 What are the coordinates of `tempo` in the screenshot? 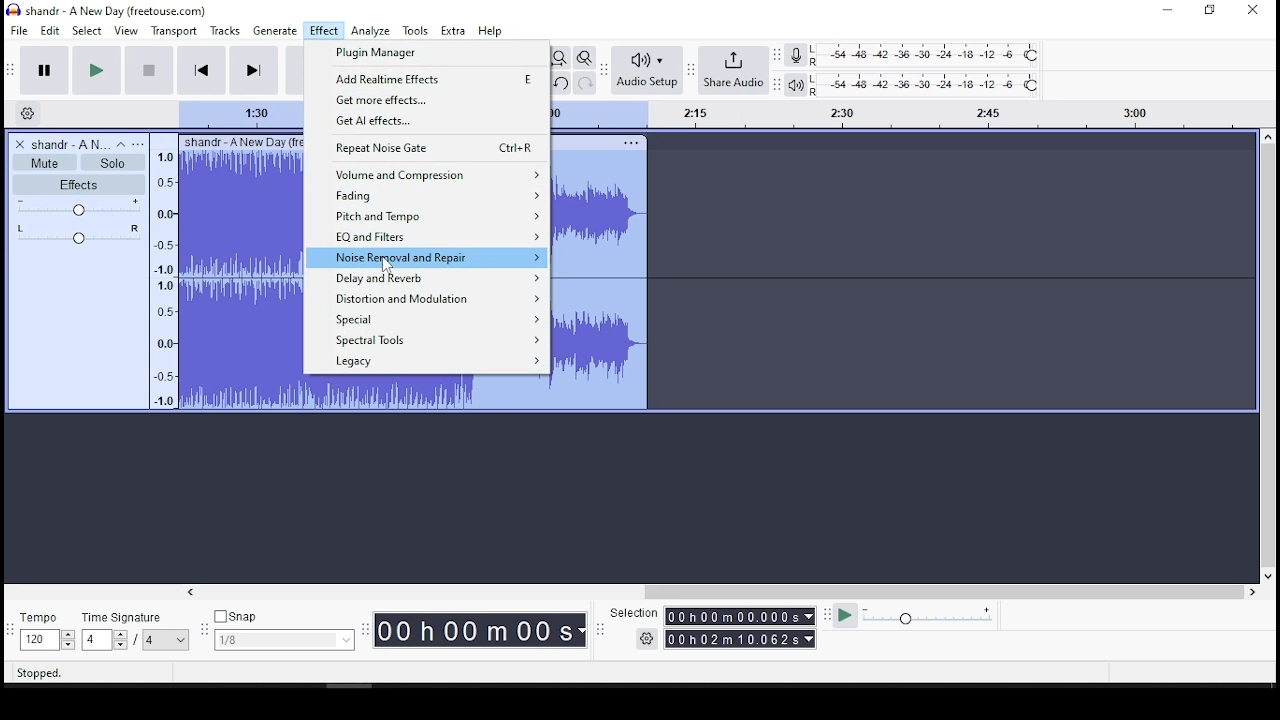 It's located at (46, 630).